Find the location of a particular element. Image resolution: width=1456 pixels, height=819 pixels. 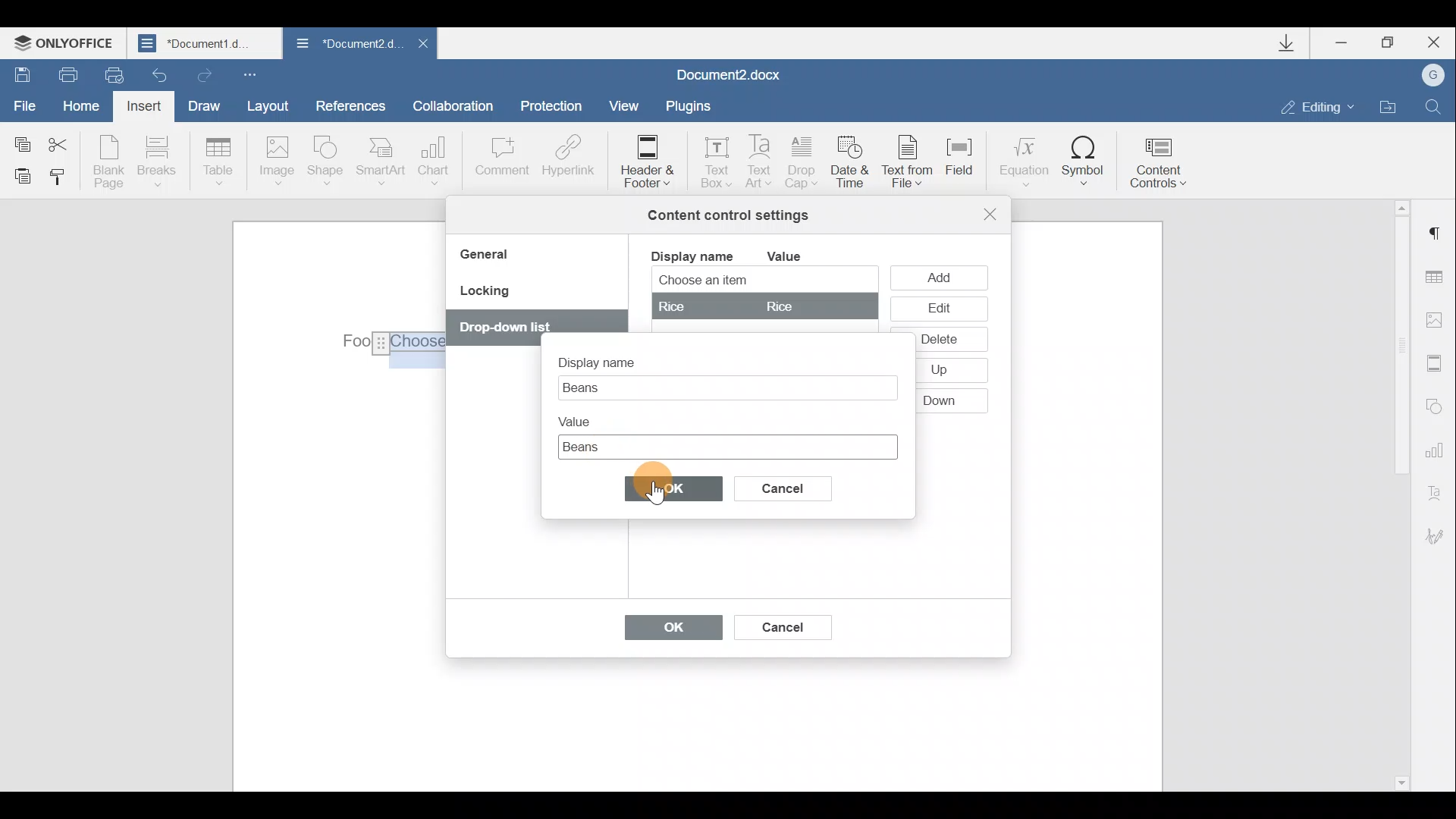

Breaks is located at coordinates (155, 165).